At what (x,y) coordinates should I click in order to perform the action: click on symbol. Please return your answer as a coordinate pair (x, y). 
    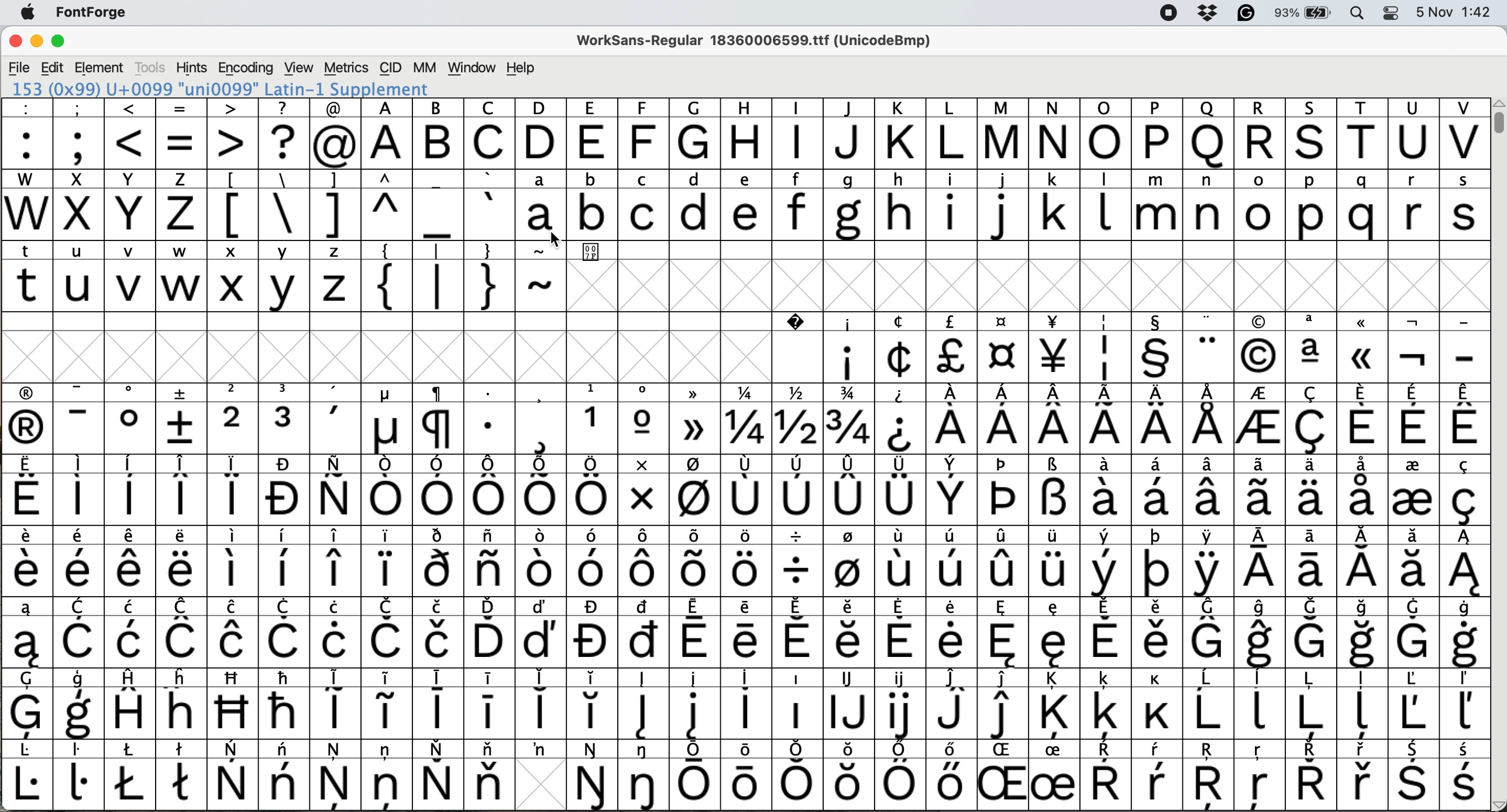
    Looking at the image, I should click on (1157, 419).